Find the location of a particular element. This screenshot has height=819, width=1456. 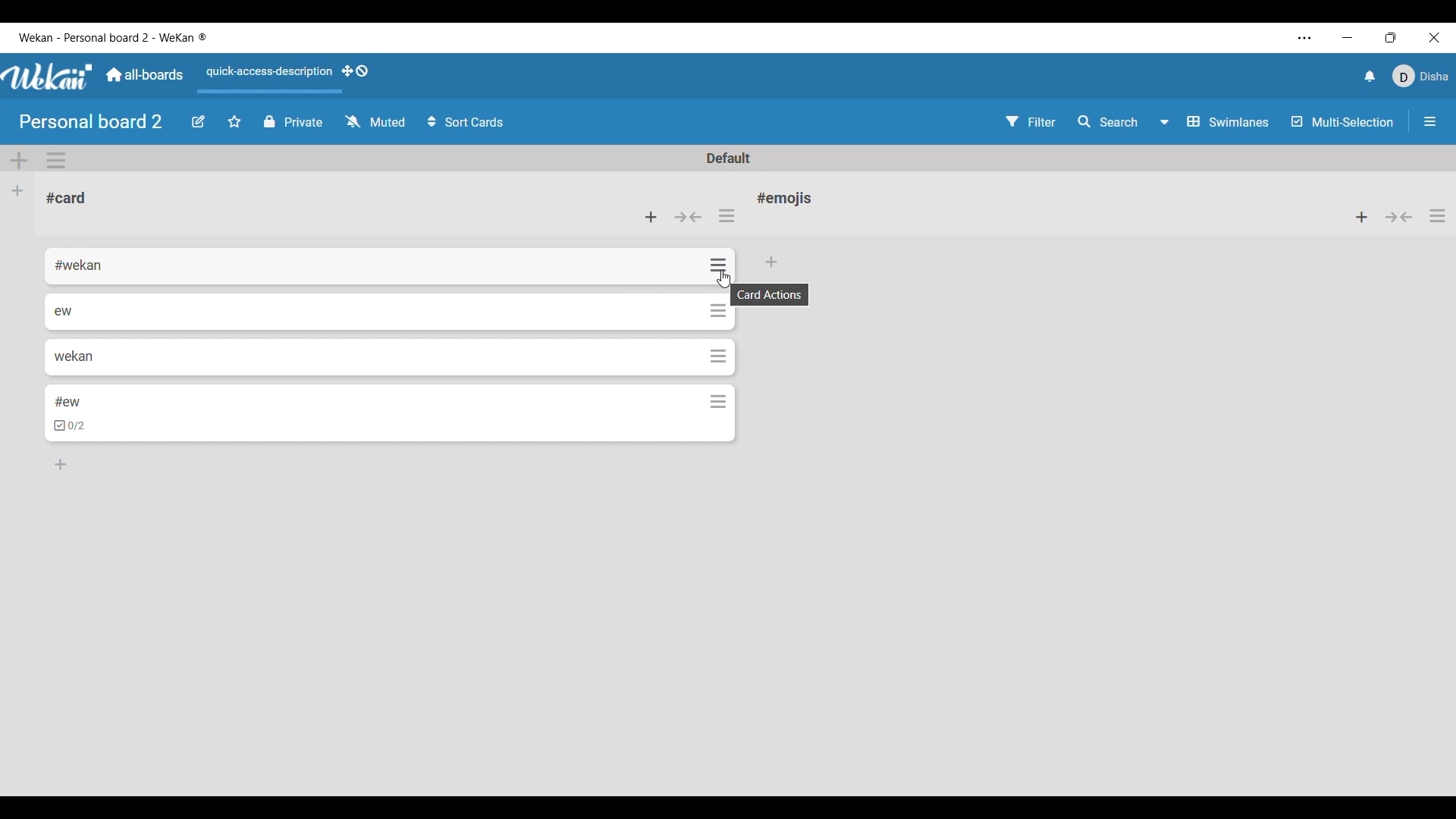

Minimize is located at coordinates (1347, 38).